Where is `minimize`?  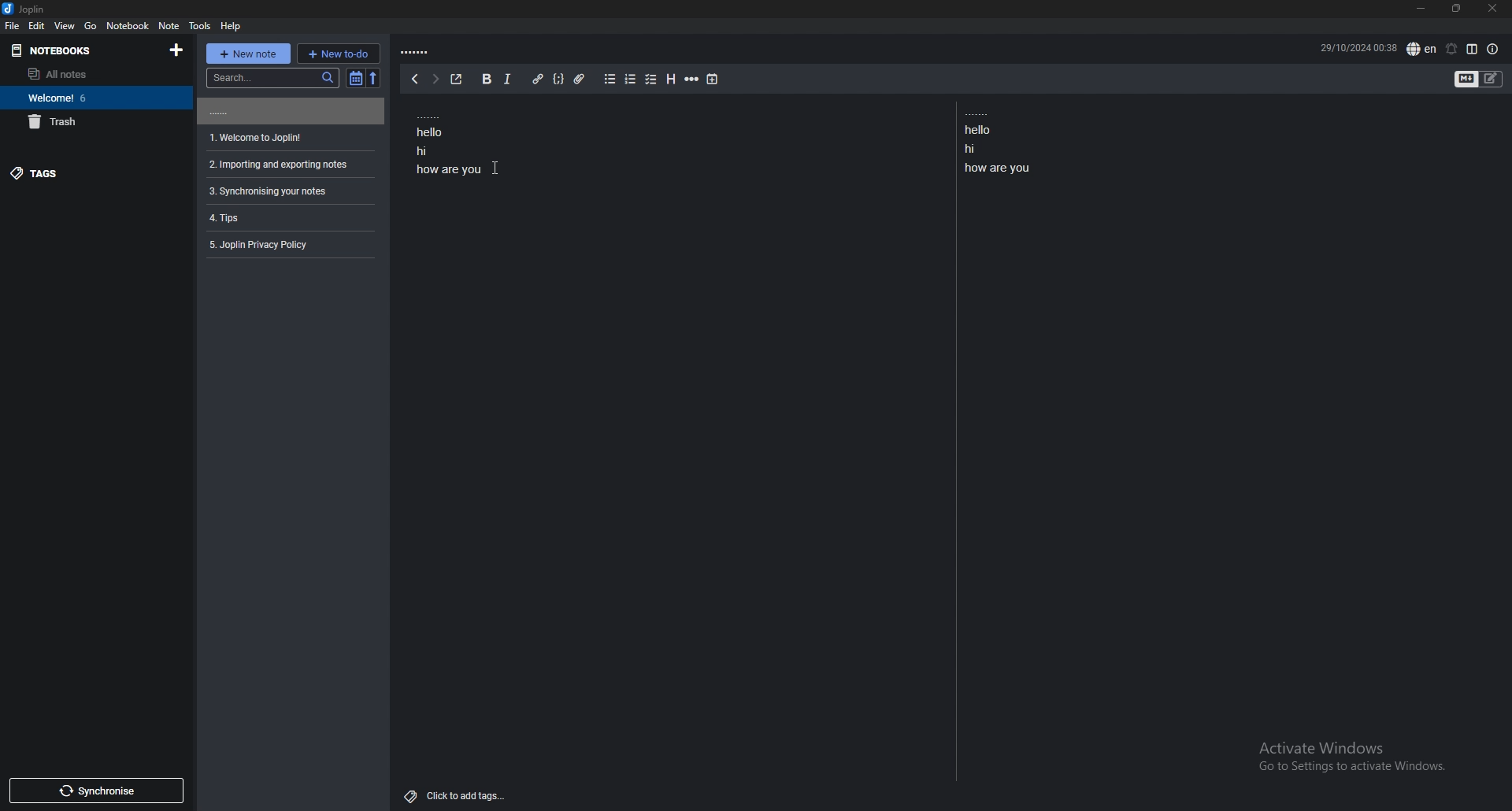
minimize is located at coordinates (1422, 9).